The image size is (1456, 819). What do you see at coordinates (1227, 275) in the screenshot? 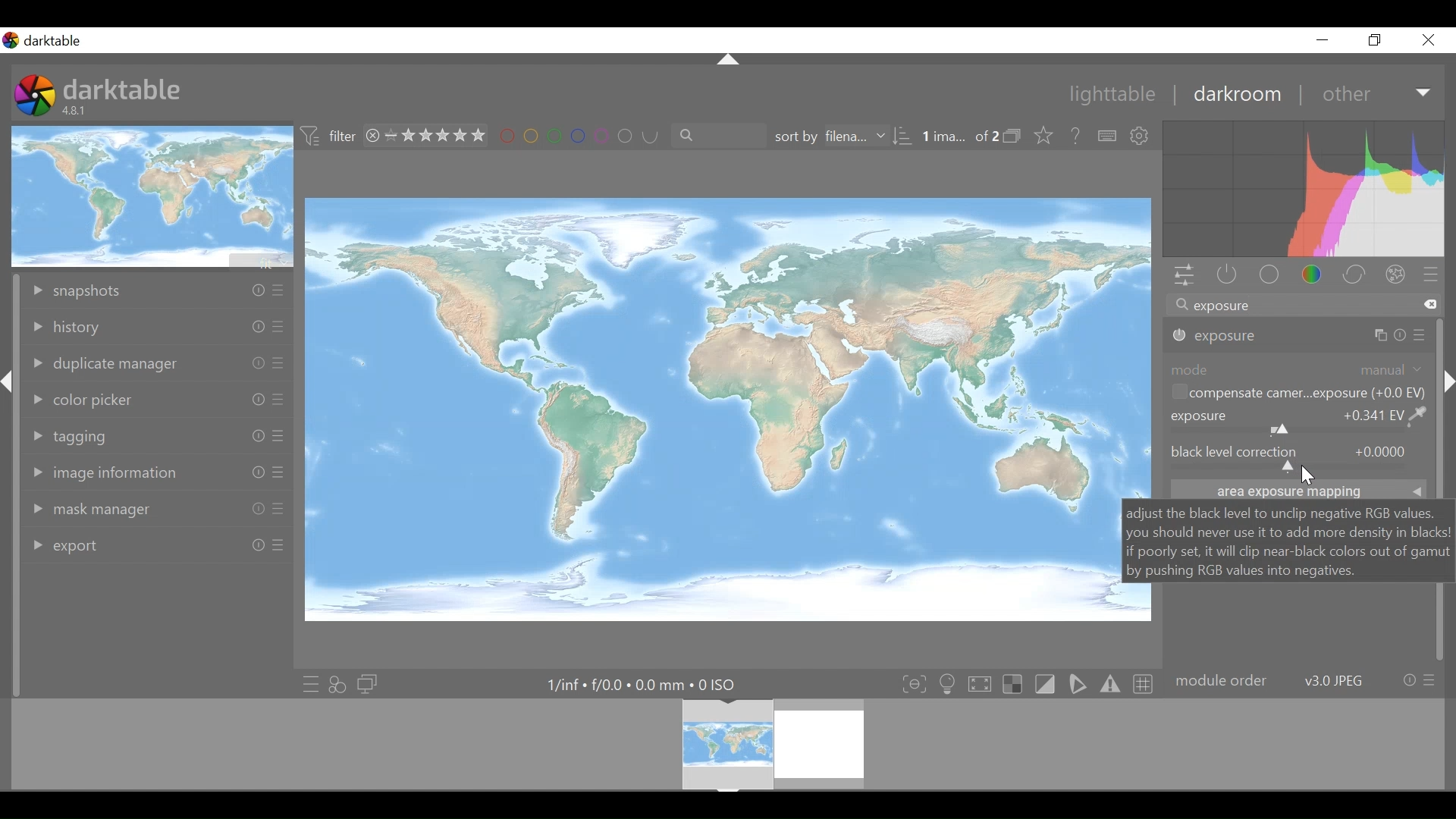
I see `show only active modules` at bounding box center [1227, 275].